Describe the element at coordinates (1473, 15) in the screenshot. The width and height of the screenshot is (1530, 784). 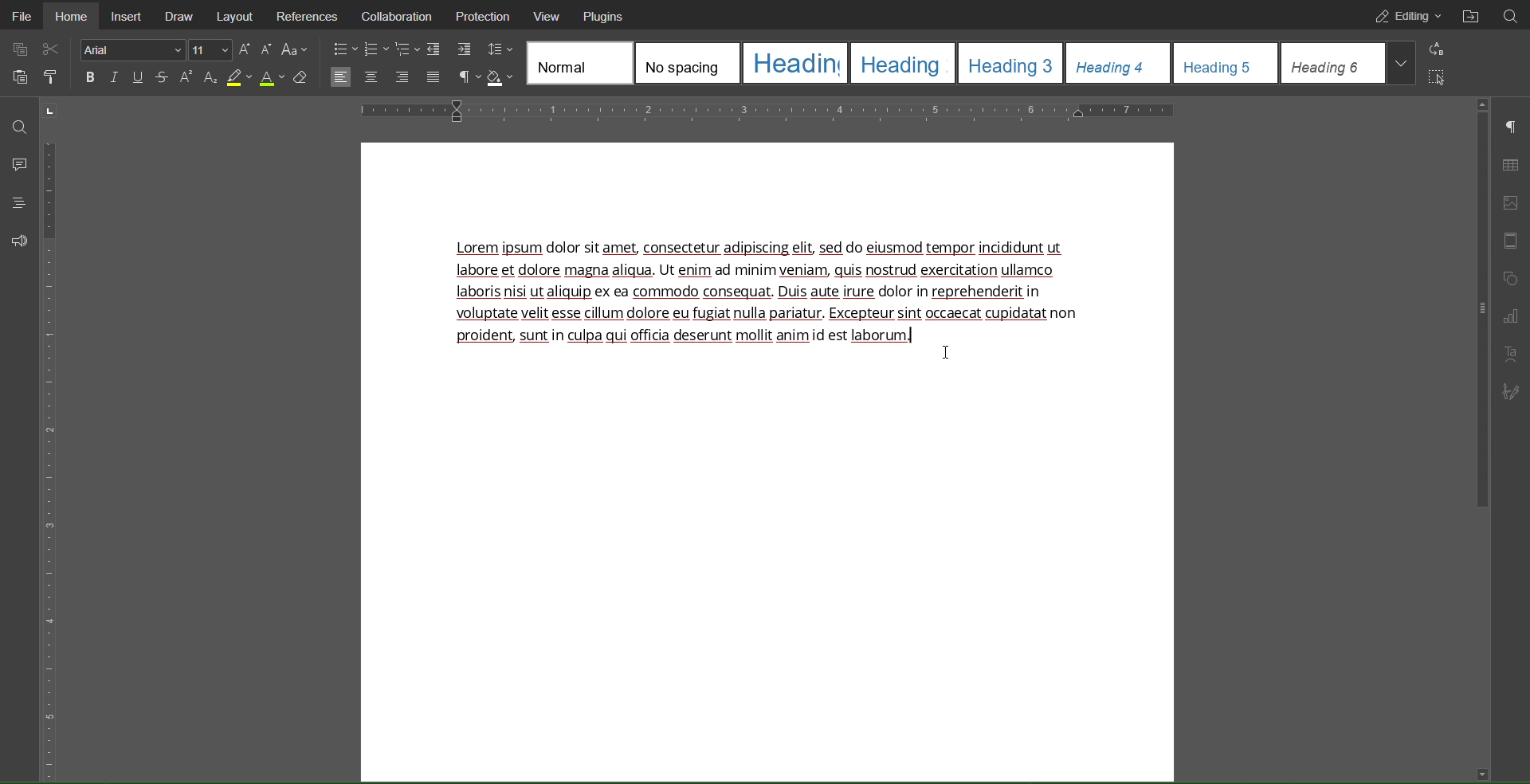
I see `Open File Location` at that location.